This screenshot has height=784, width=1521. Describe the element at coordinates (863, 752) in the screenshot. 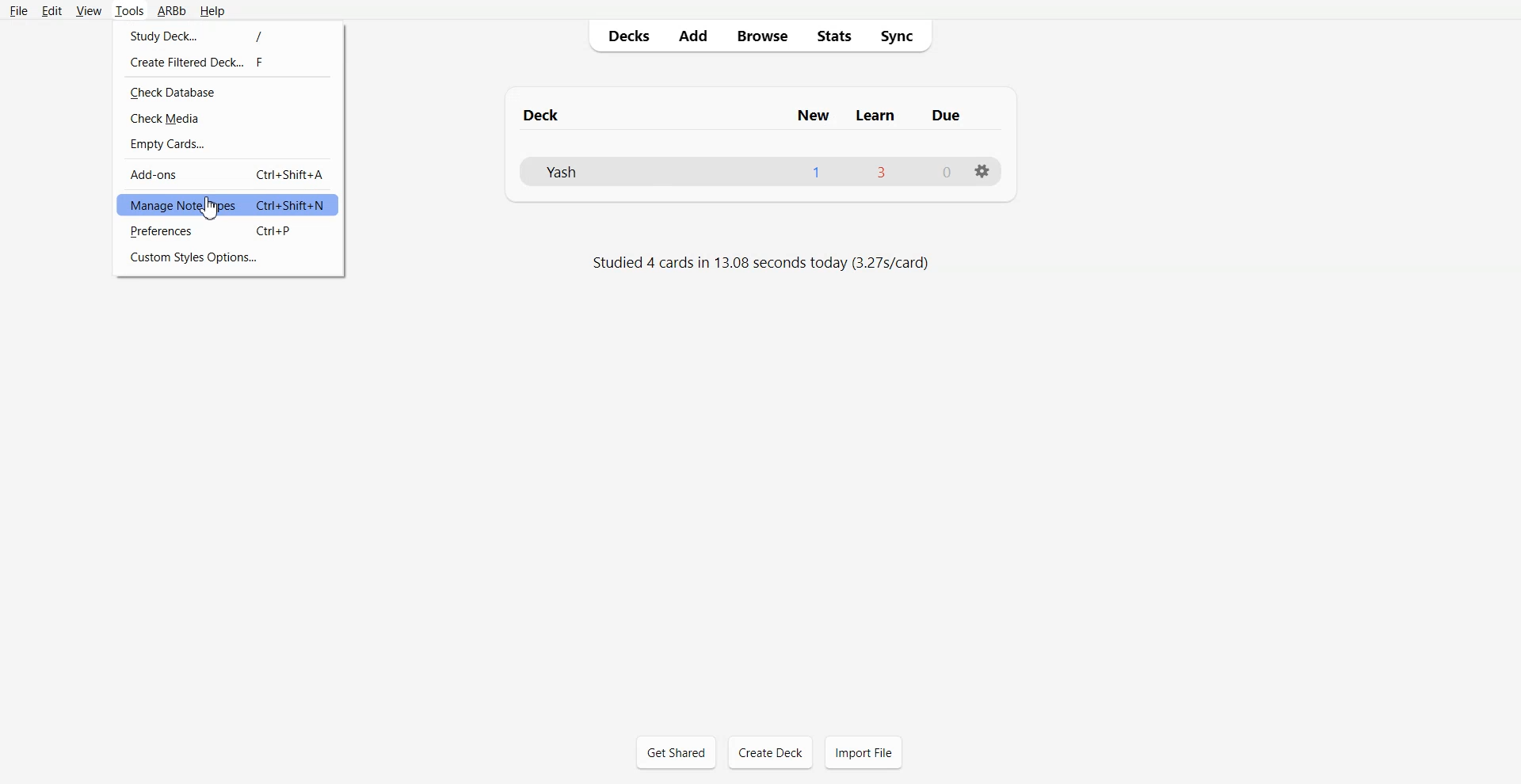

I see `Import File` at that location.